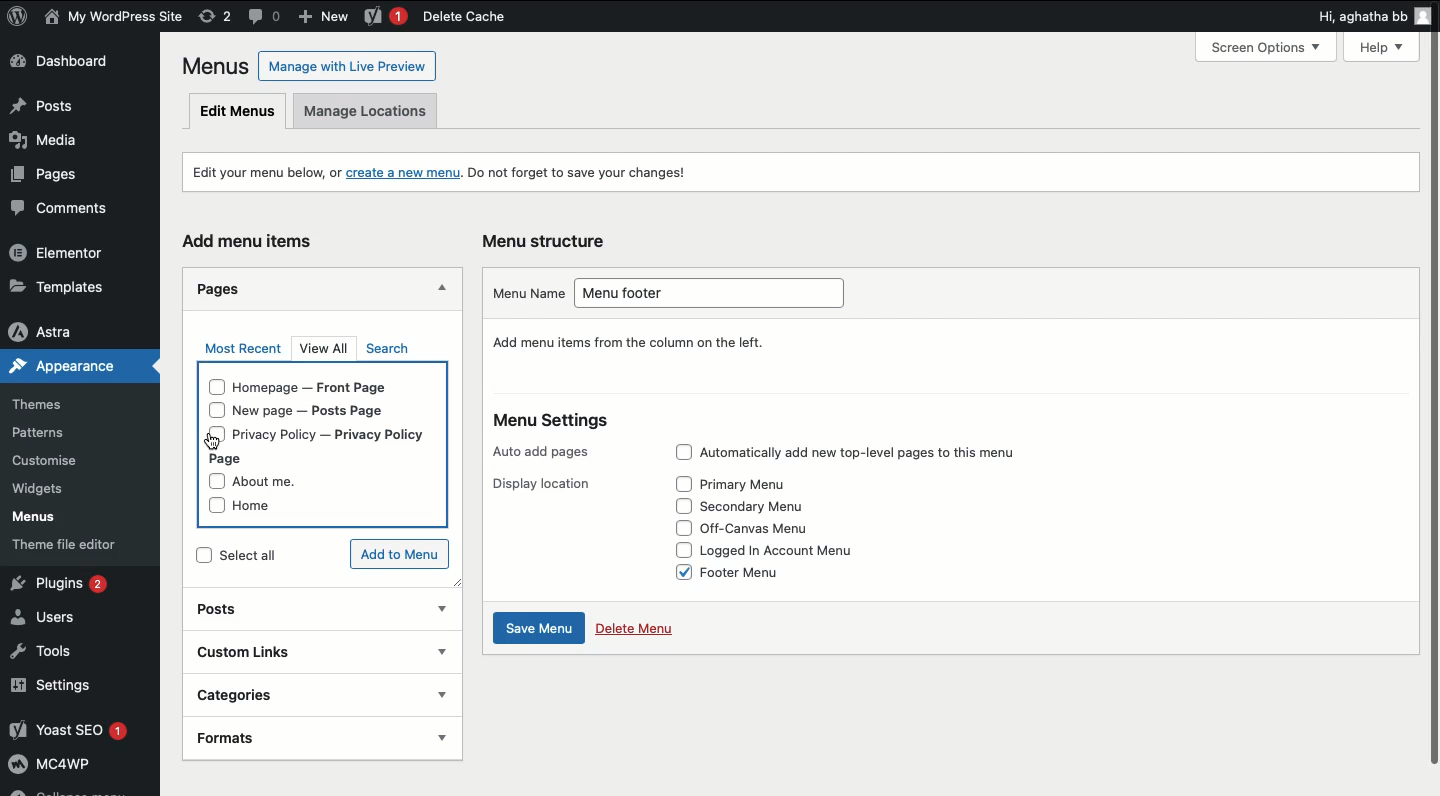 Image resolution: width=1440 pixels, height=796 pixels. Describe the element at coordinates (81, 548) in the screenshot. I see `Theme file editor` at that location.